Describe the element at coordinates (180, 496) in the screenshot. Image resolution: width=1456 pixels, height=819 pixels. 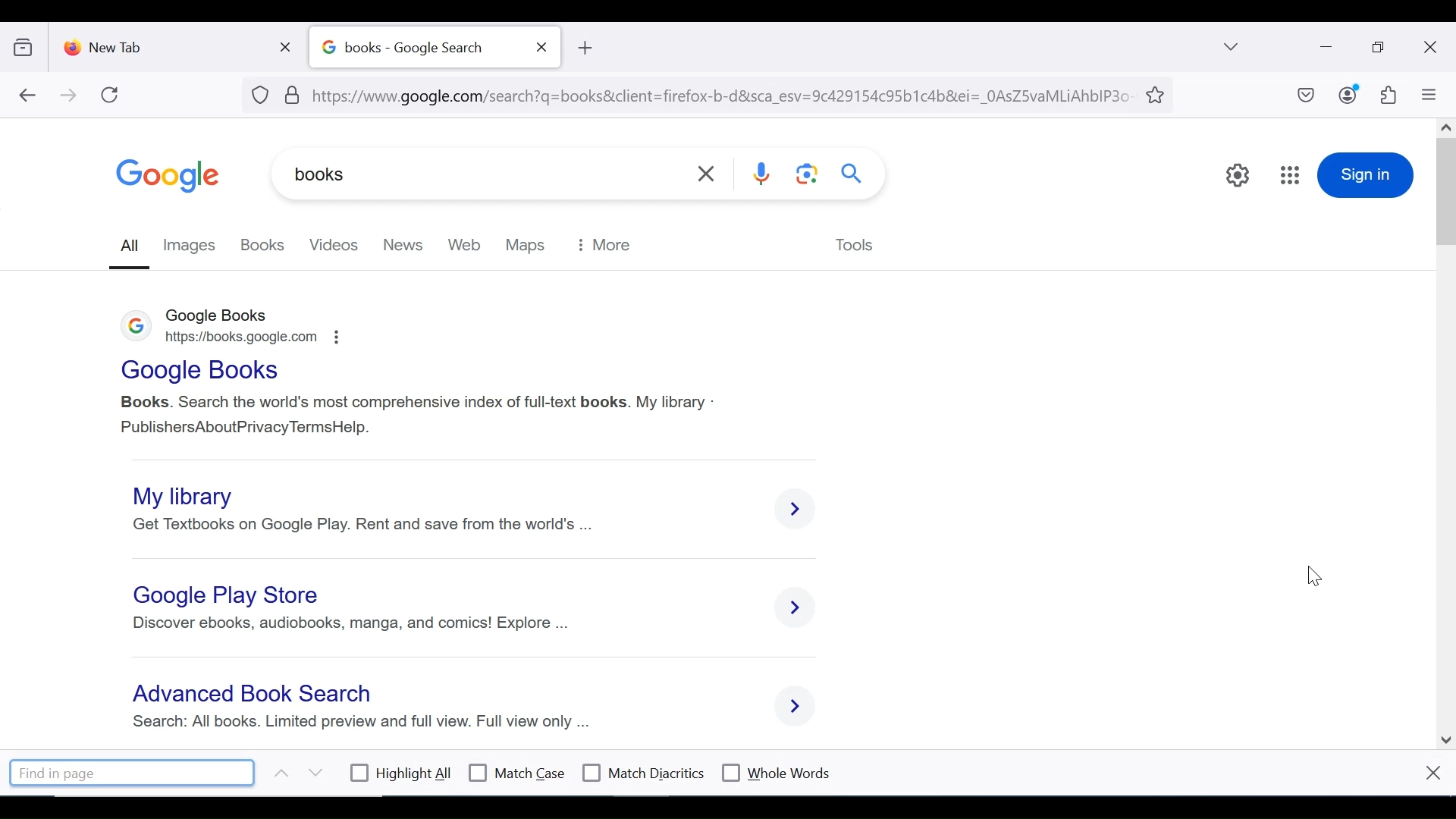
I see `My library` at that location.